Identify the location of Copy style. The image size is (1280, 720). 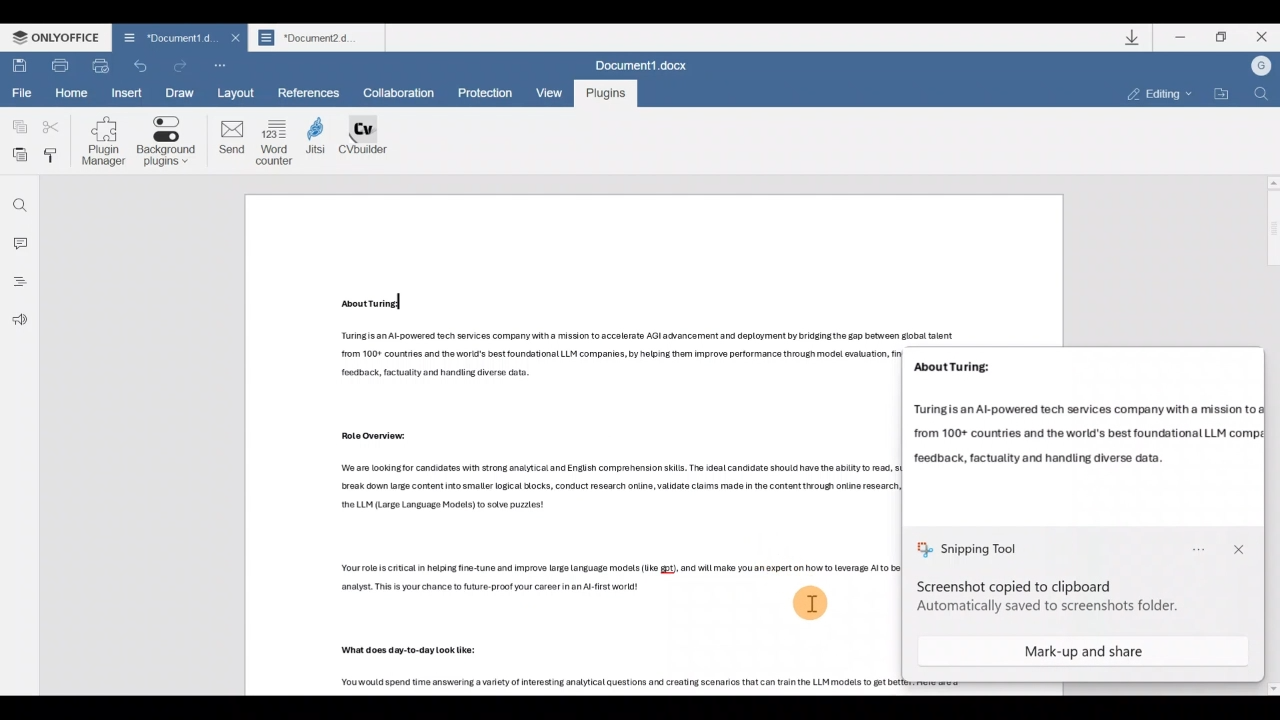
(54, 157).